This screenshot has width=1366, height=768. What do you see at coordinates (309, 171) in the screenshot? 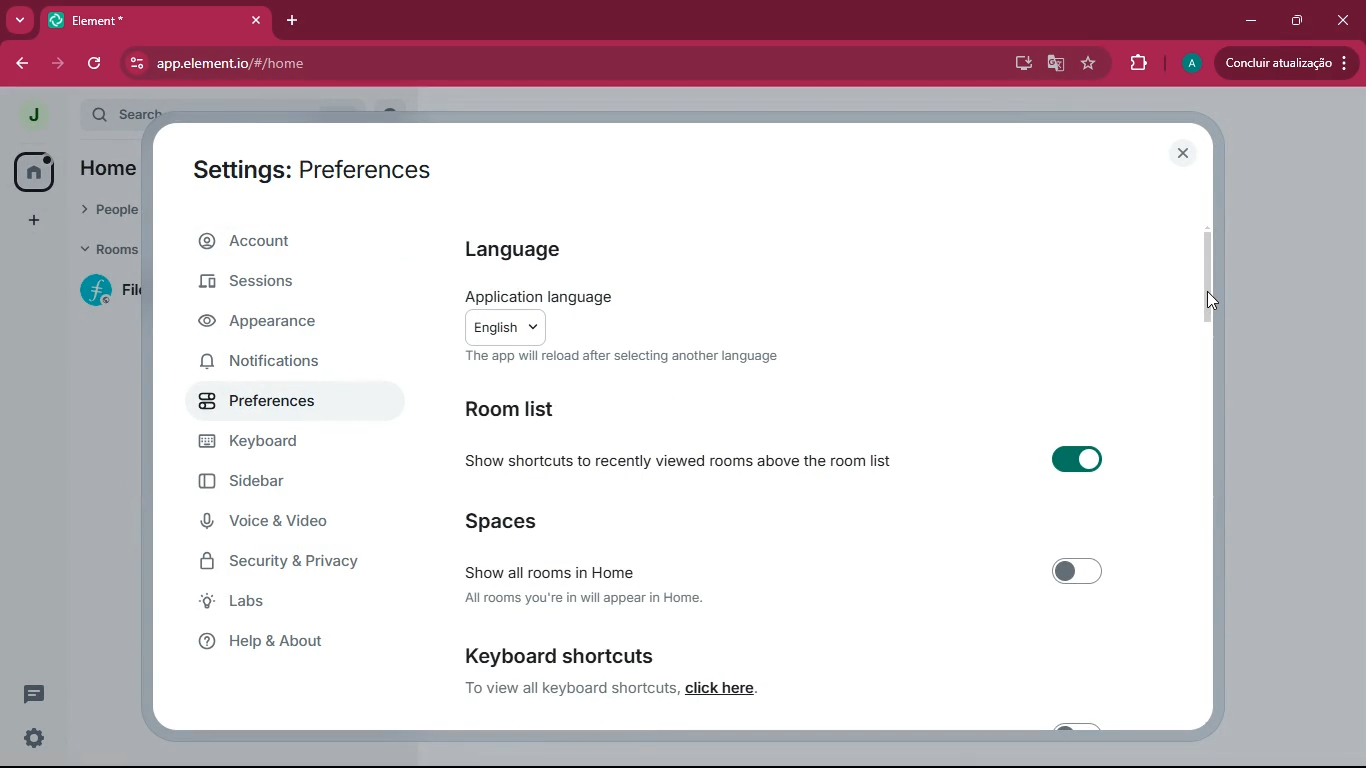
I see `settings: preferences` at bounding box center [309, 171].